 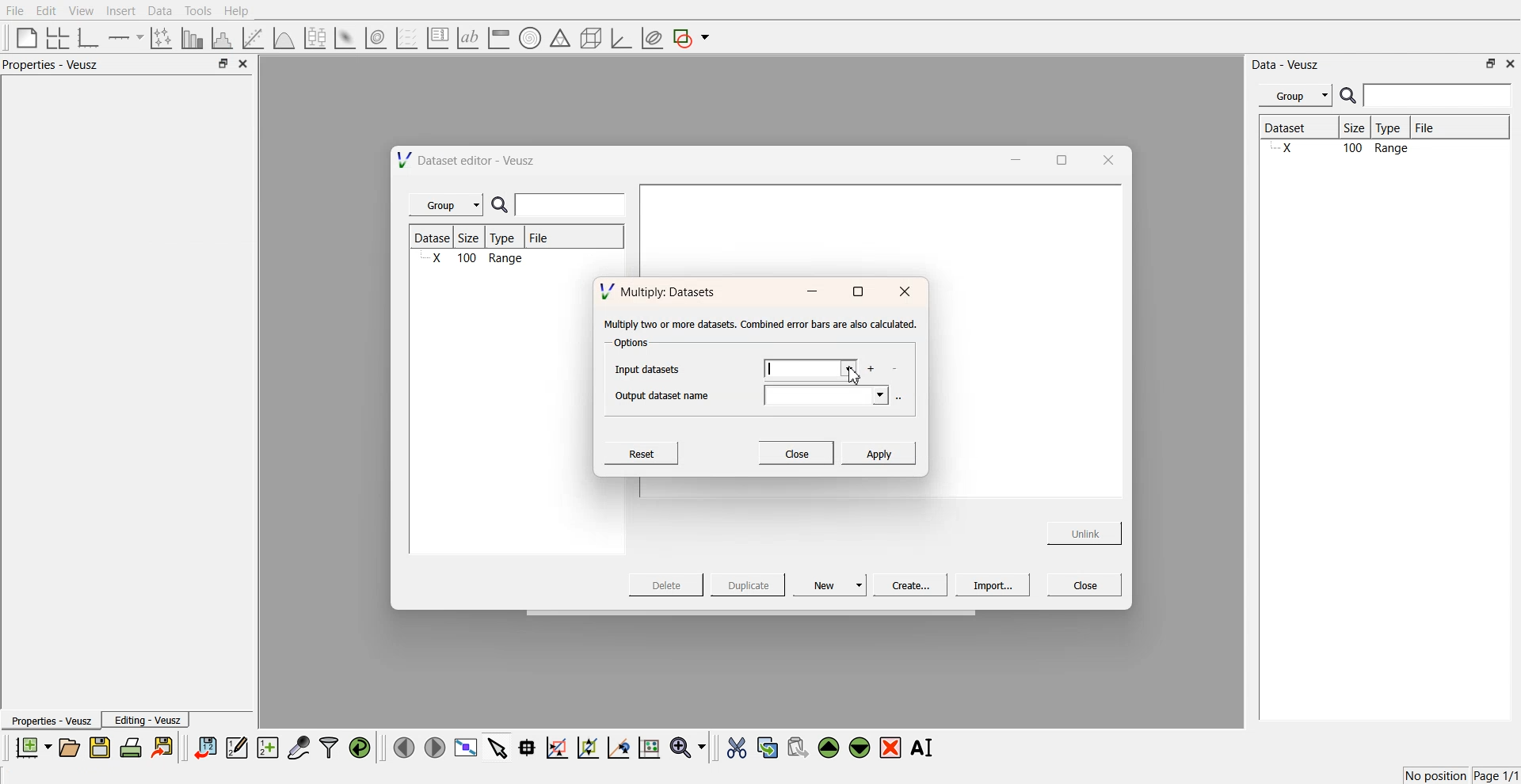 What do you see at coordinates (225, 37) in the screenshot?
I see `histogram` at bounding box center [225, 37].